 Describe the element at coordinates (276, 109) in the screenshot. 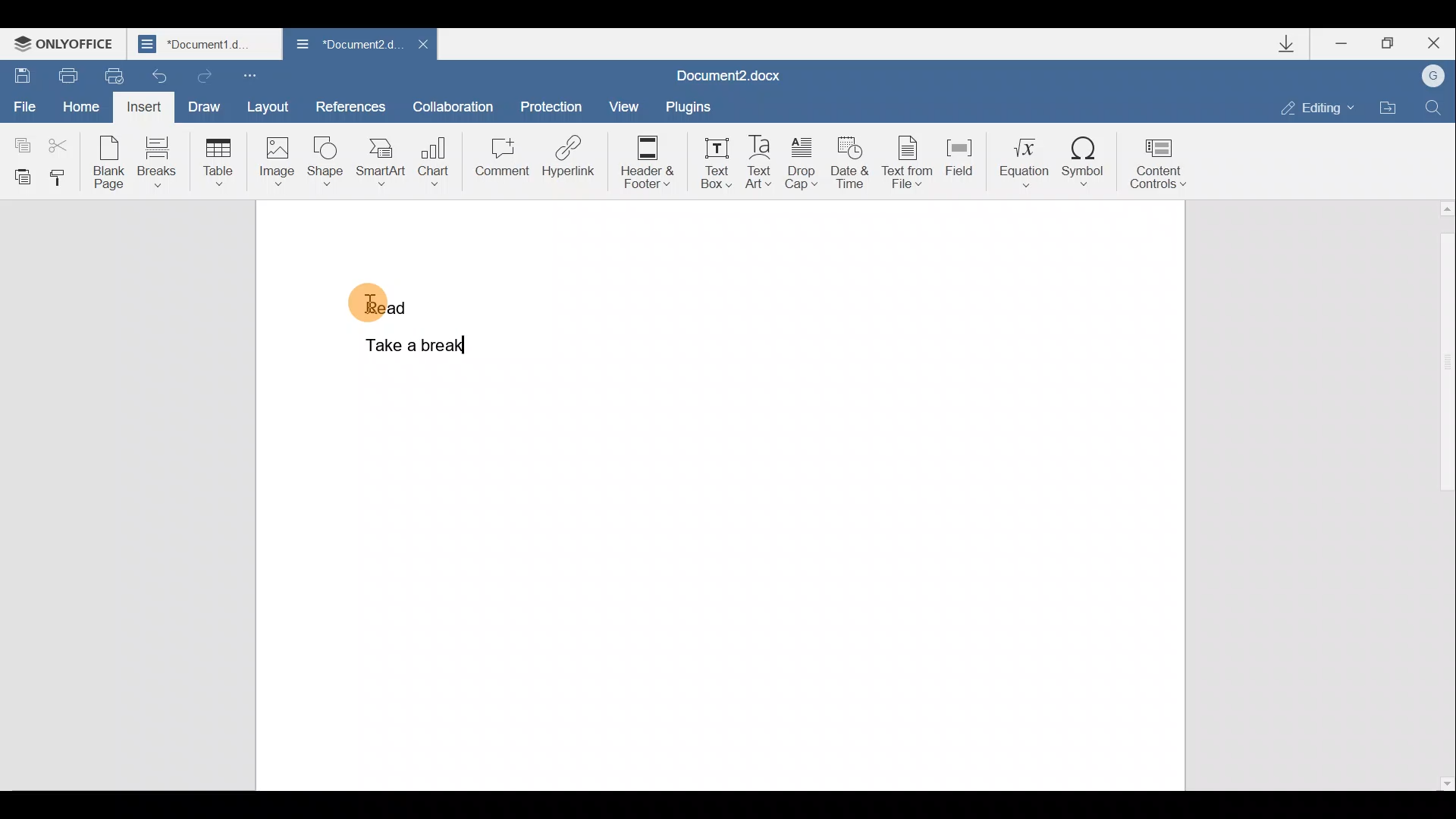

I see `Layout` at that location.